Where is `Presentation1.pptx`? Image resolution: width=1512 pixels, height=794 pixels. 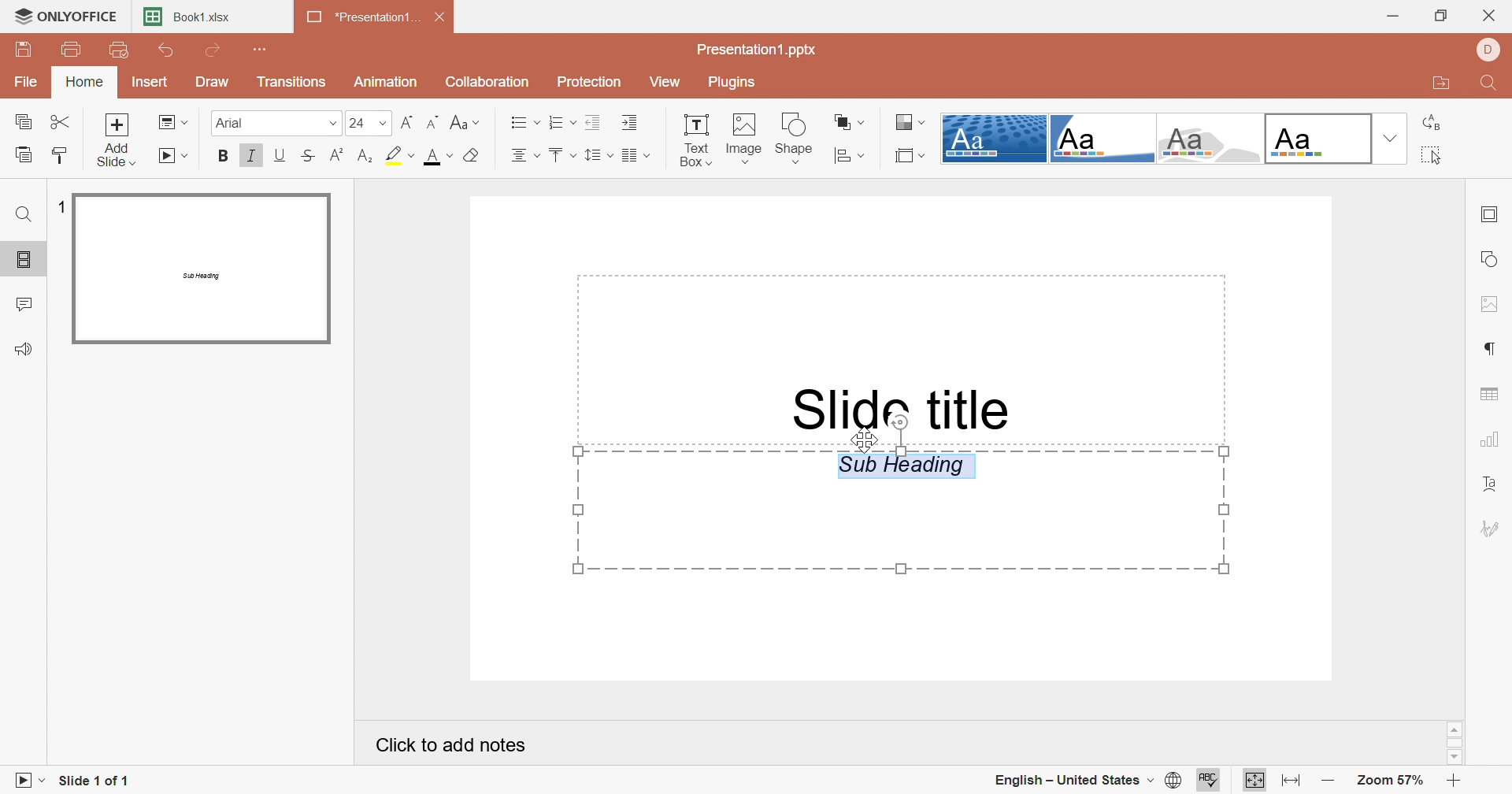
Presentation1.pptx is located at coordinates (761, 50).